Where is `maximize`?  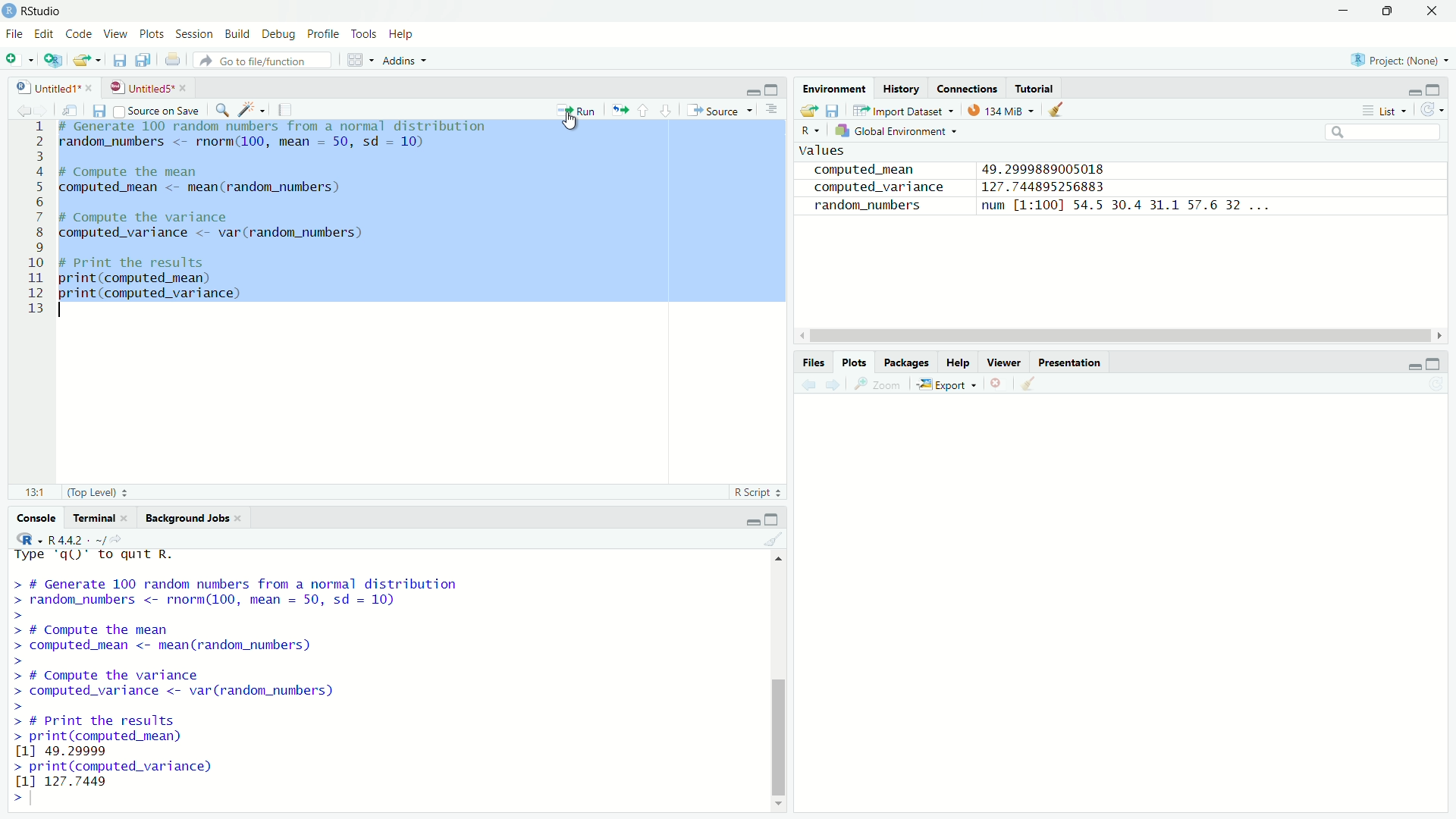 maximize is located at coordinates (1391, 11).